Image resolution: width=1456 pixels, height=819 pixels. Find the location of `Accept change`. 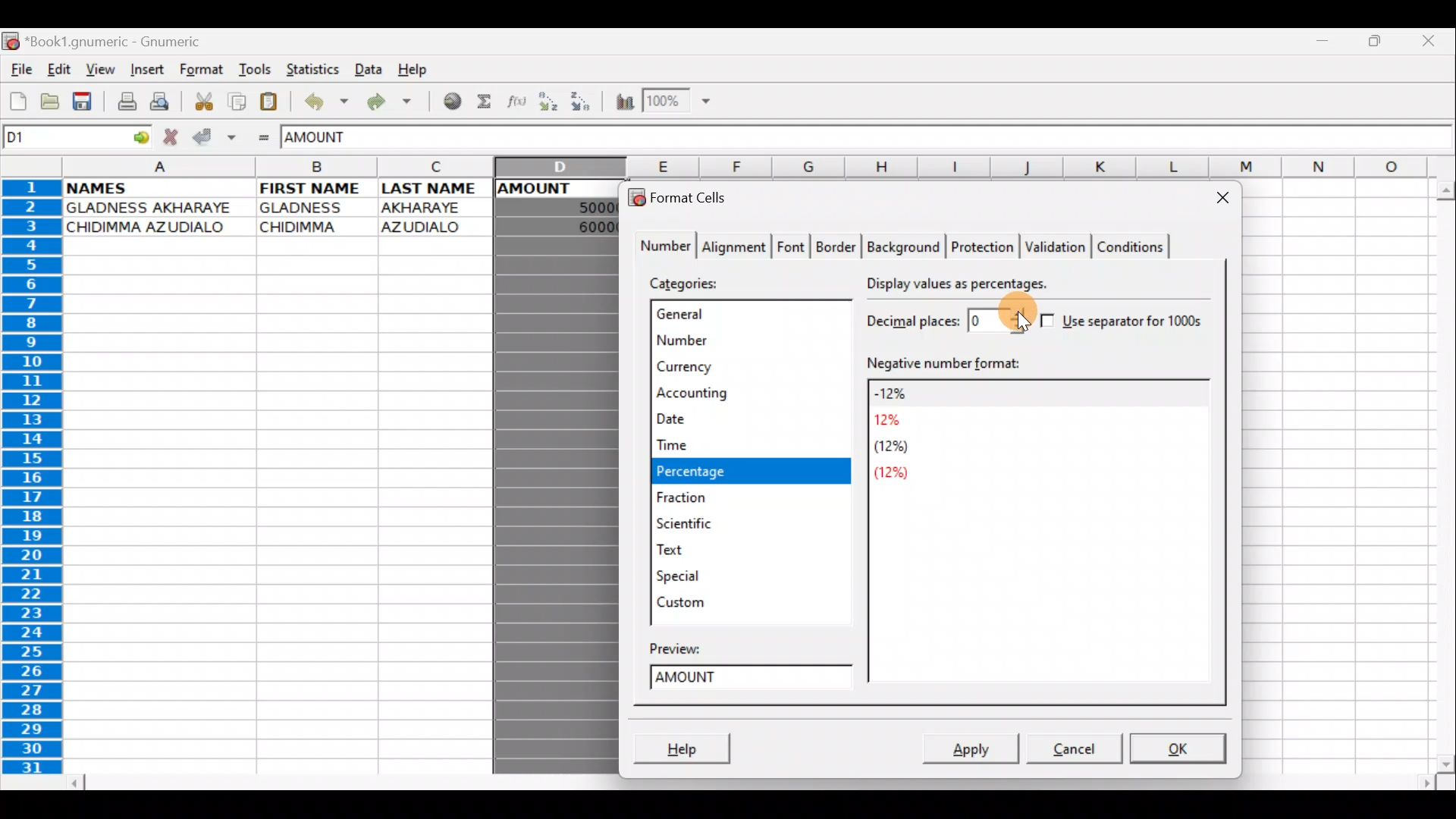

Accept change is located at coordinates (213, 137).